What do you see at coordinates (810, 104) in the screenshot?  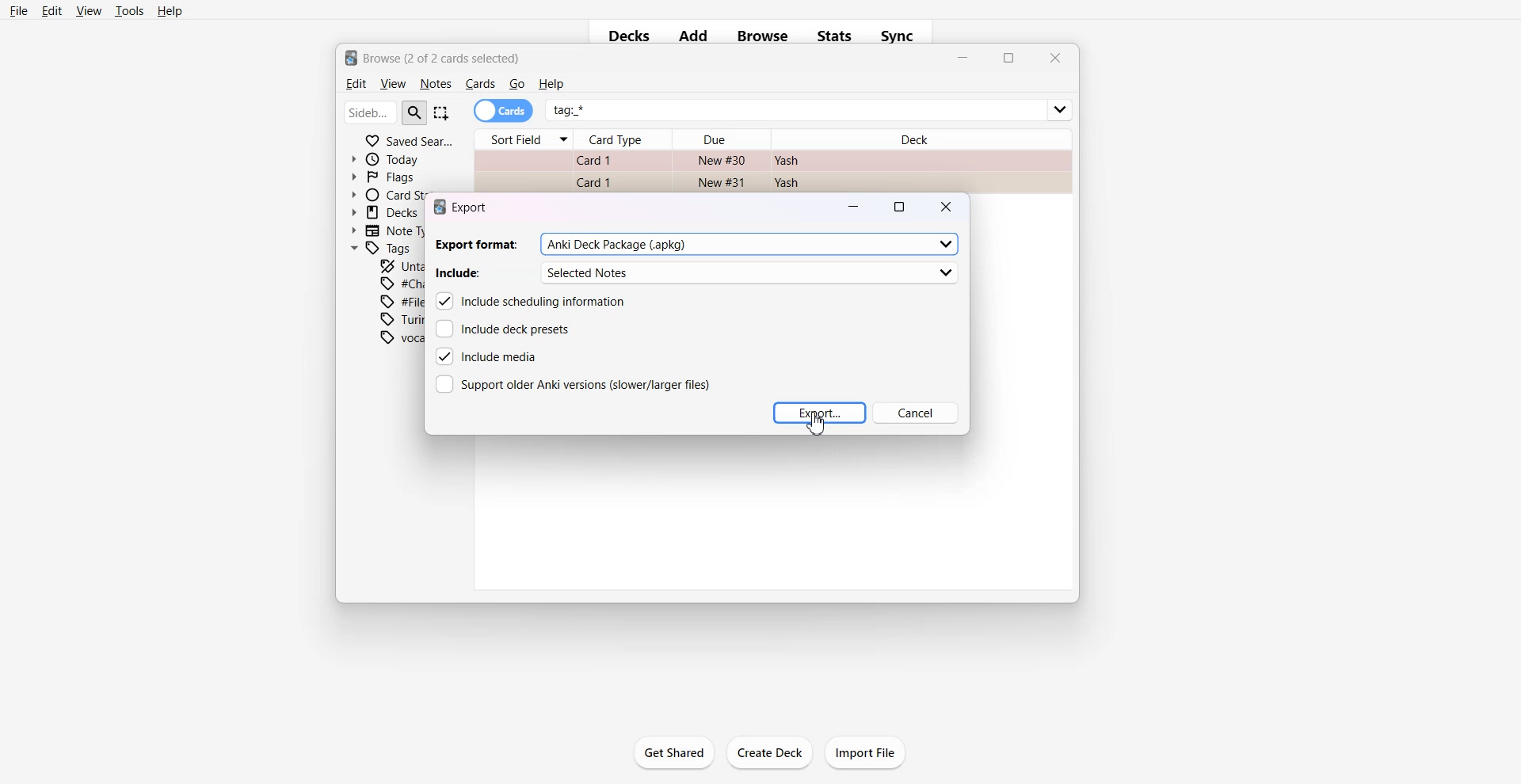 I see `tag *` at bounding box center [810, 104].